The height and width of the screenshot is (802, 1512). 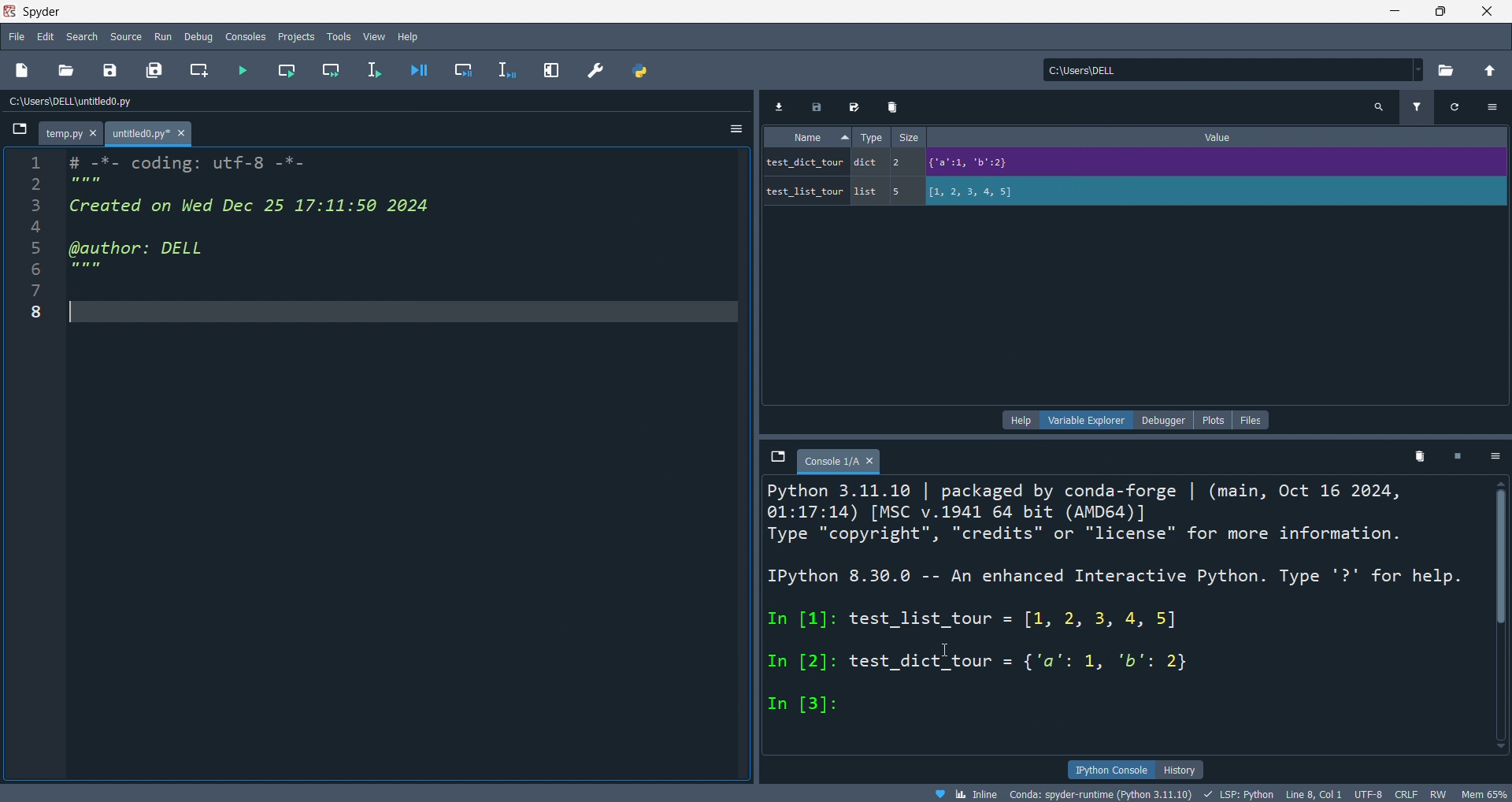 I want to click on console 1/A, so click(x=843, y=457).